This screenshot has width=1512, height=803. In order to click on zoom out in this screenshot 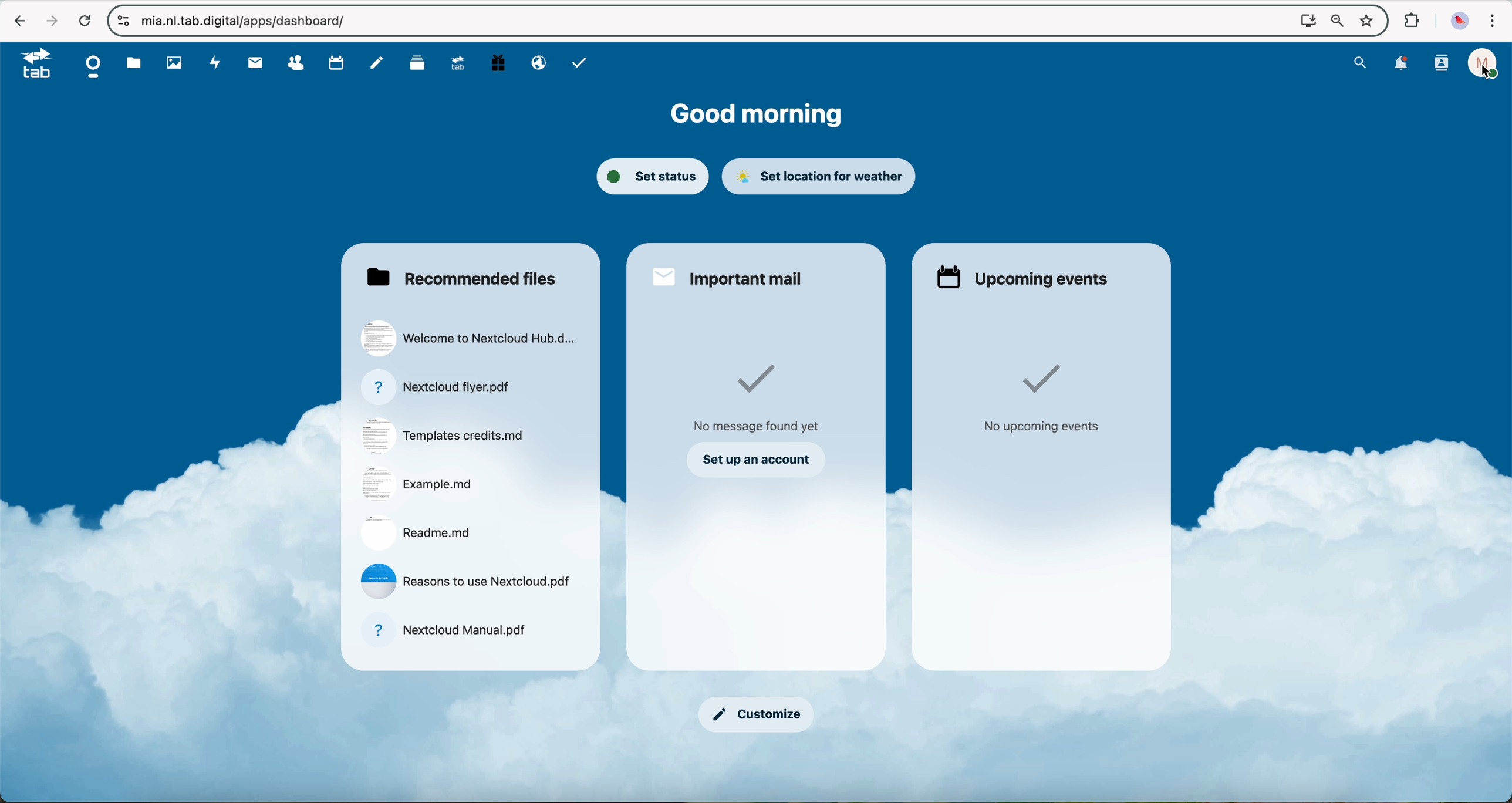, I will do `click(1334, 21)`.